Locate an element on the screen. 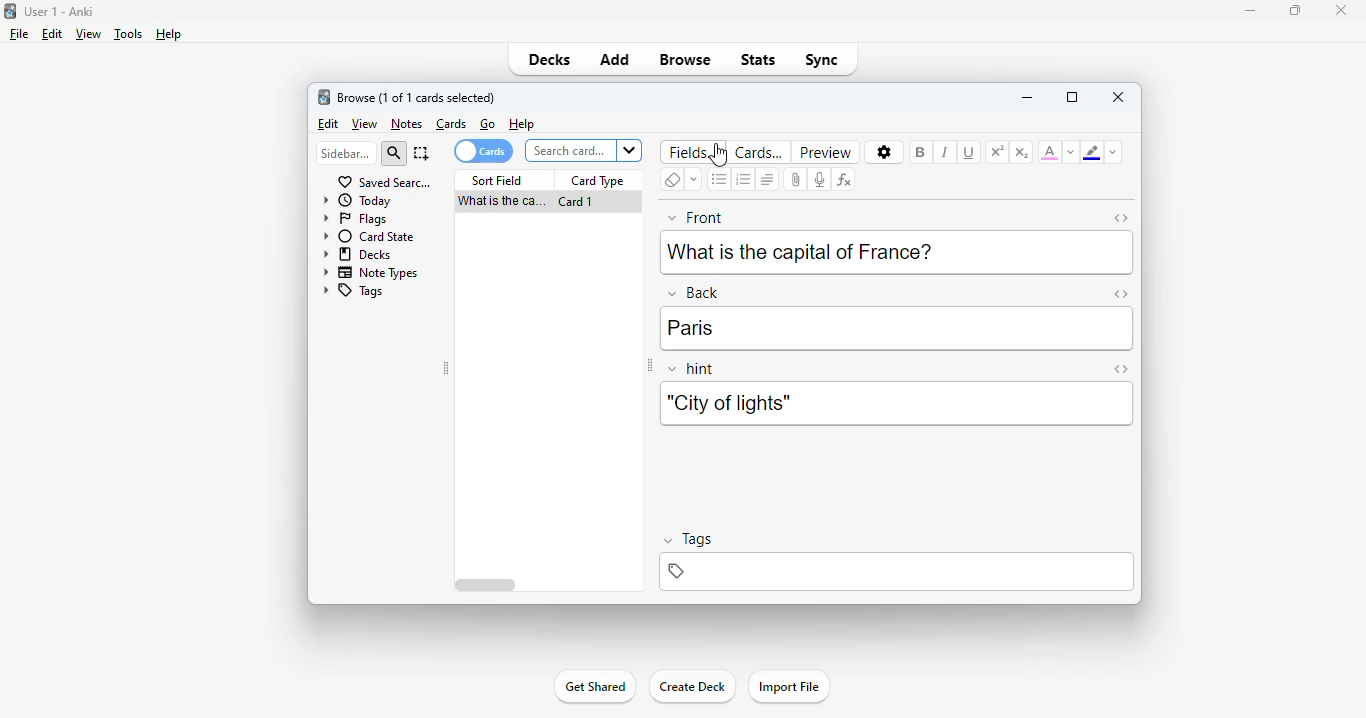 This screenshot has height=718, width=1366. logo is located at coordinates (9, 10).